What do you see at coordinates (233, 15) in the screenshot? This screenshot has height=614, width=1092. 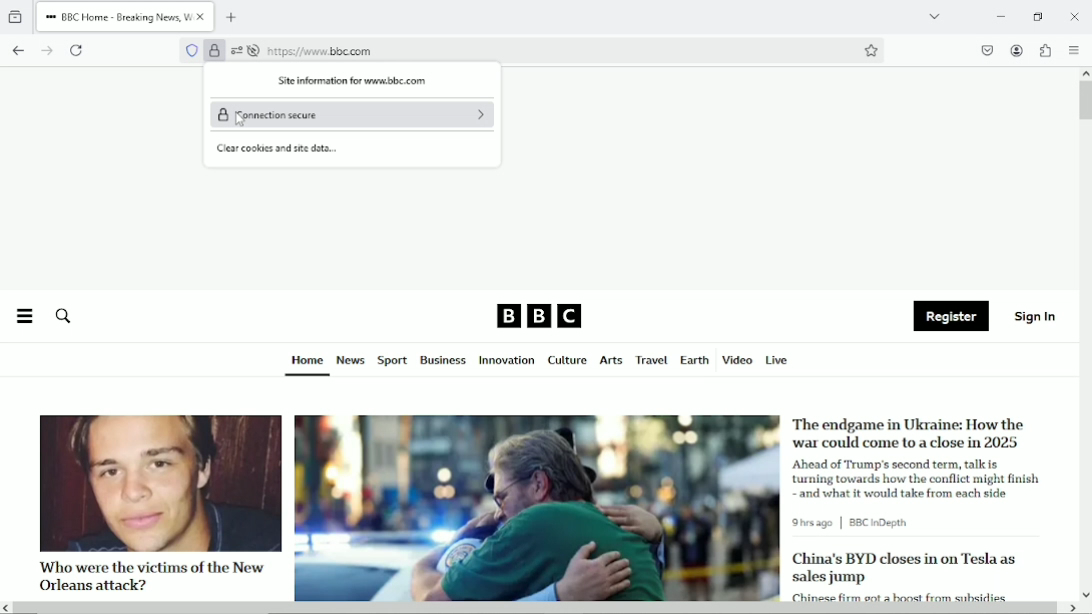 I see `New tab` at bounding box center [233, 15].